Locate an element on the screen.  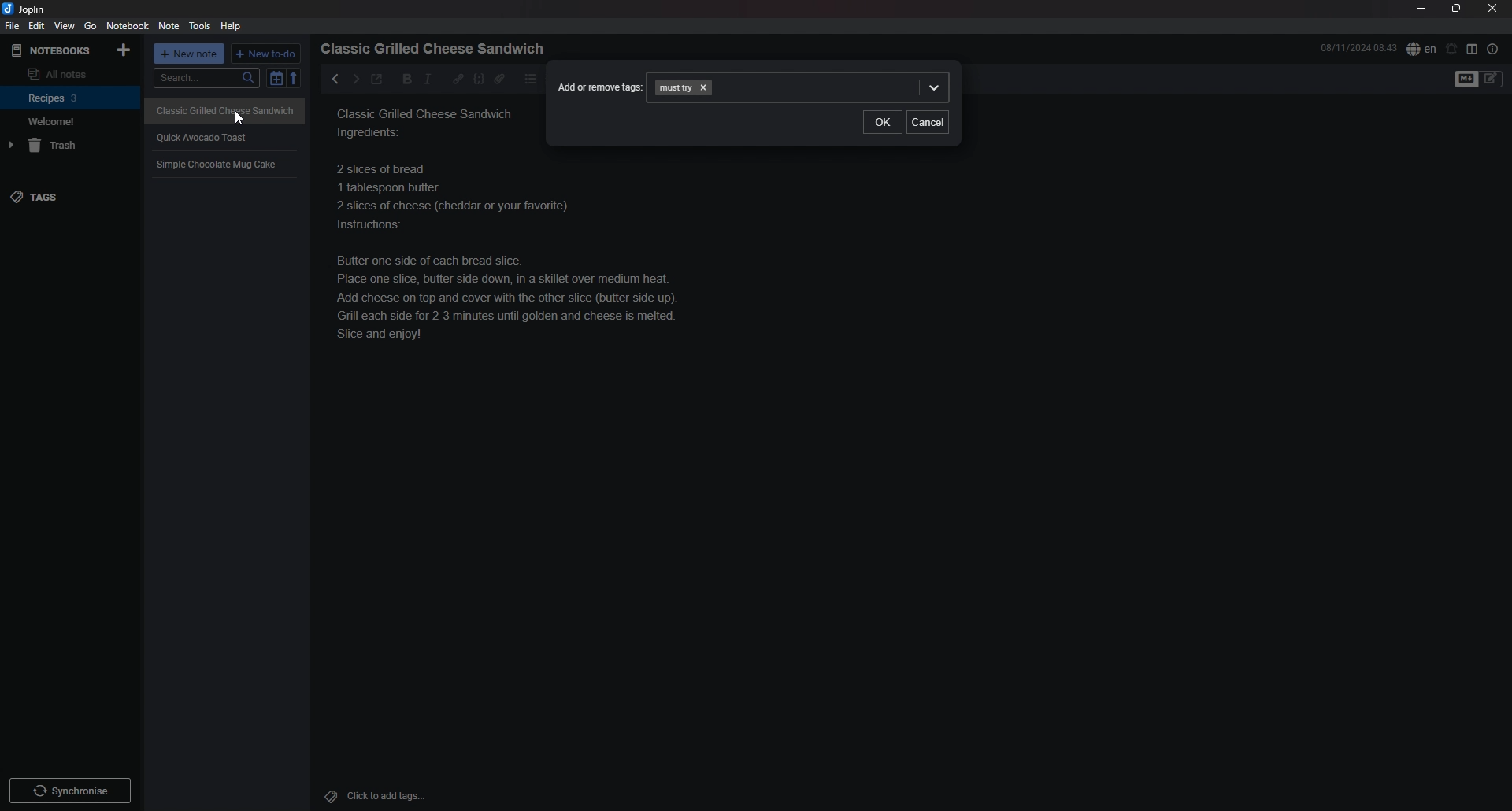
minimize is located at coordinates (1421, 9).